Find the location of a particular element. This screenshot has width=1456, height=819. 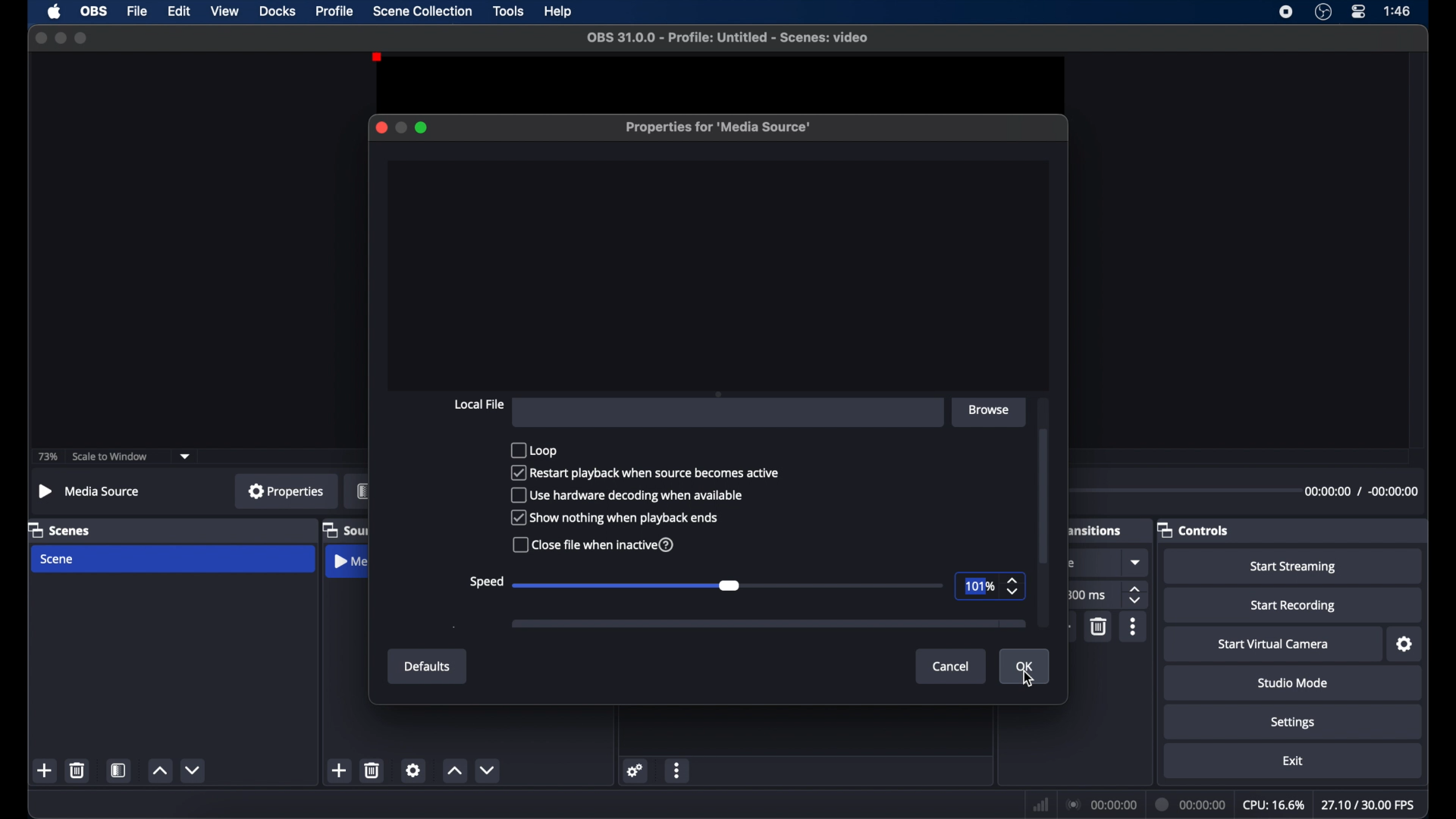

settings is located at coordinates (413, 770).